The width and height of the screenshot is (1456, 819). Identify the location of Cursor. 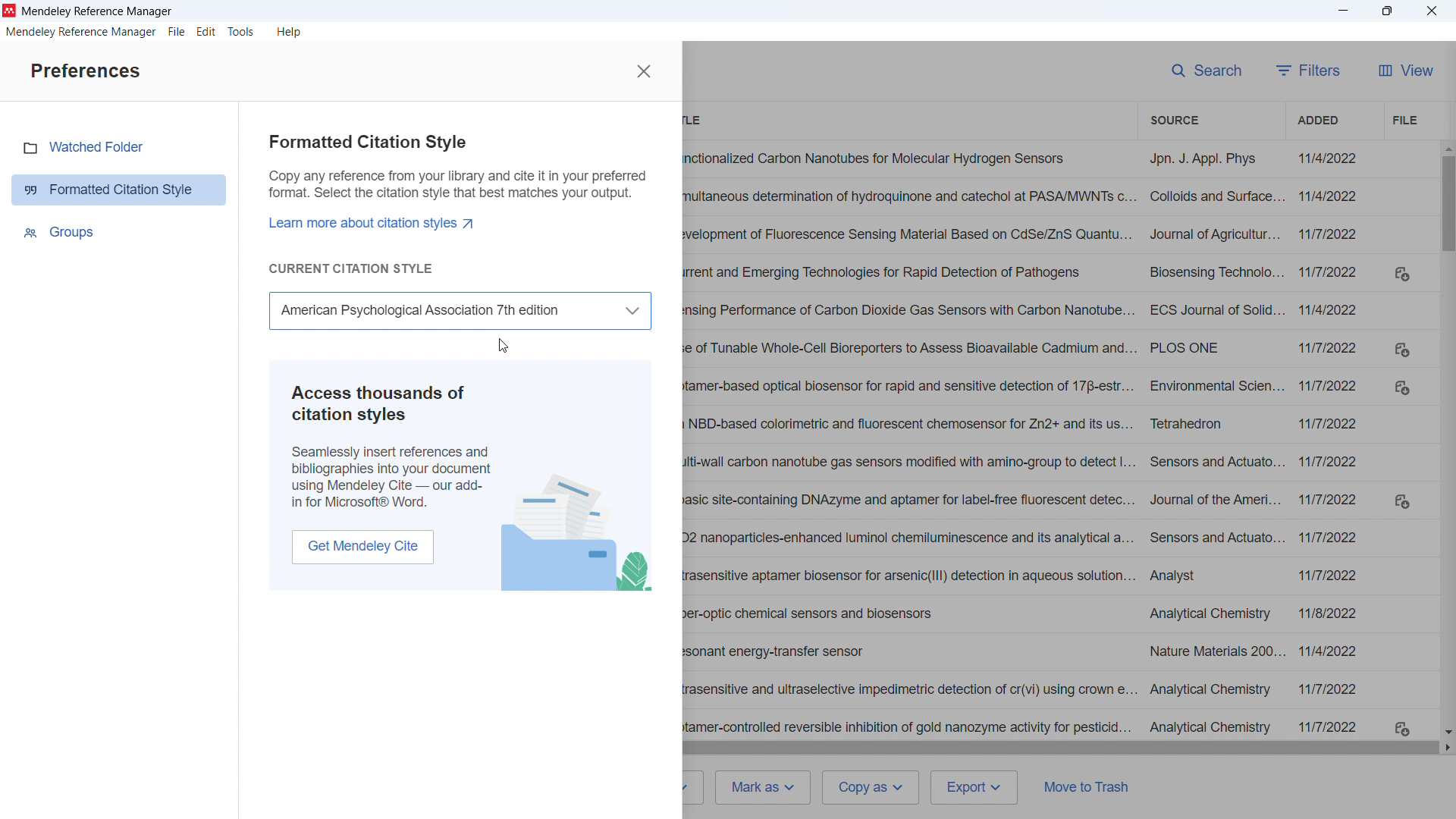
(503, 344).